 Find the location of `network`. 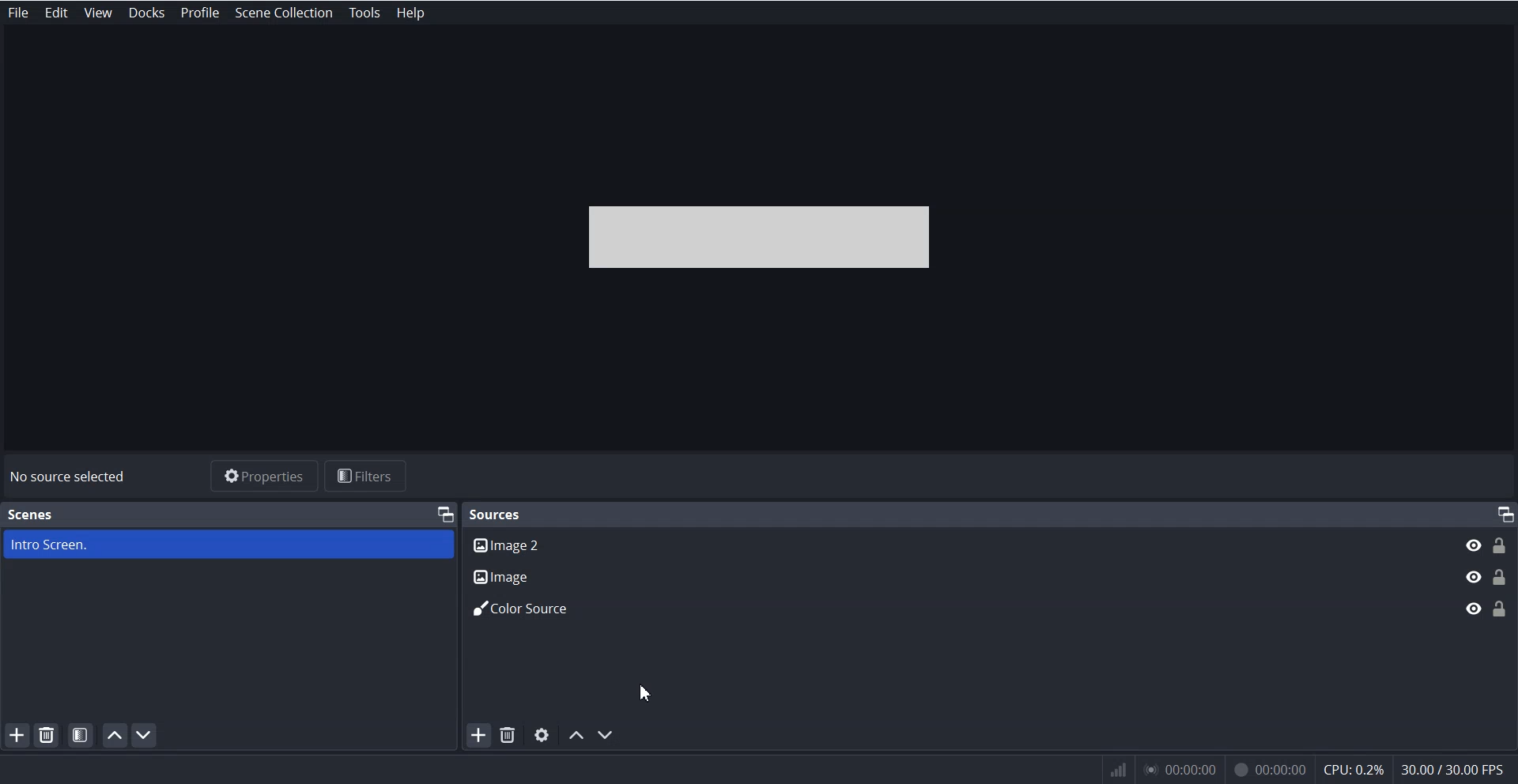

network is located at coordinates (1116, 770).